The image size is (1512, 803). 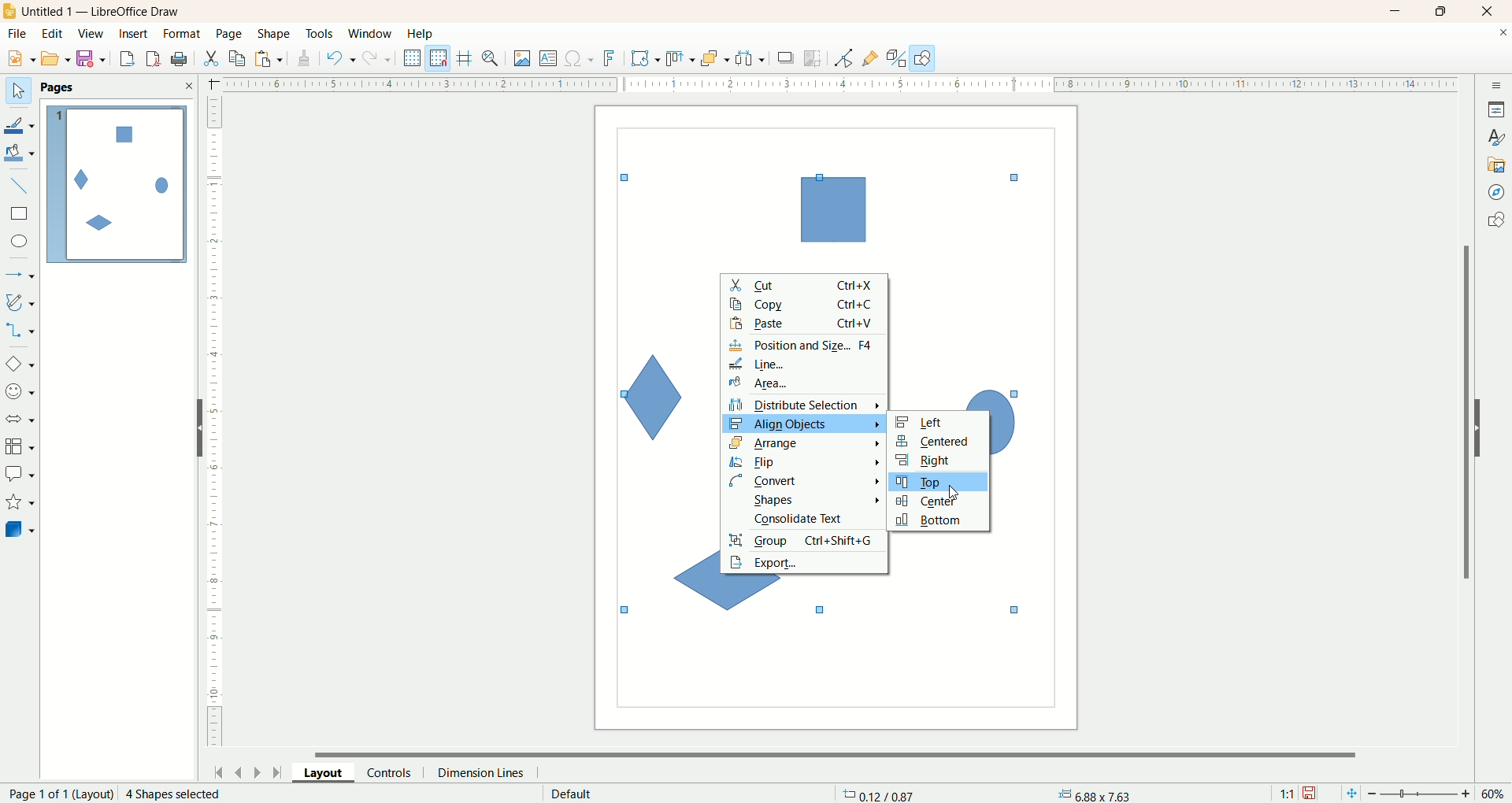 I want to click on minimize, so click(x=1396, y=11).